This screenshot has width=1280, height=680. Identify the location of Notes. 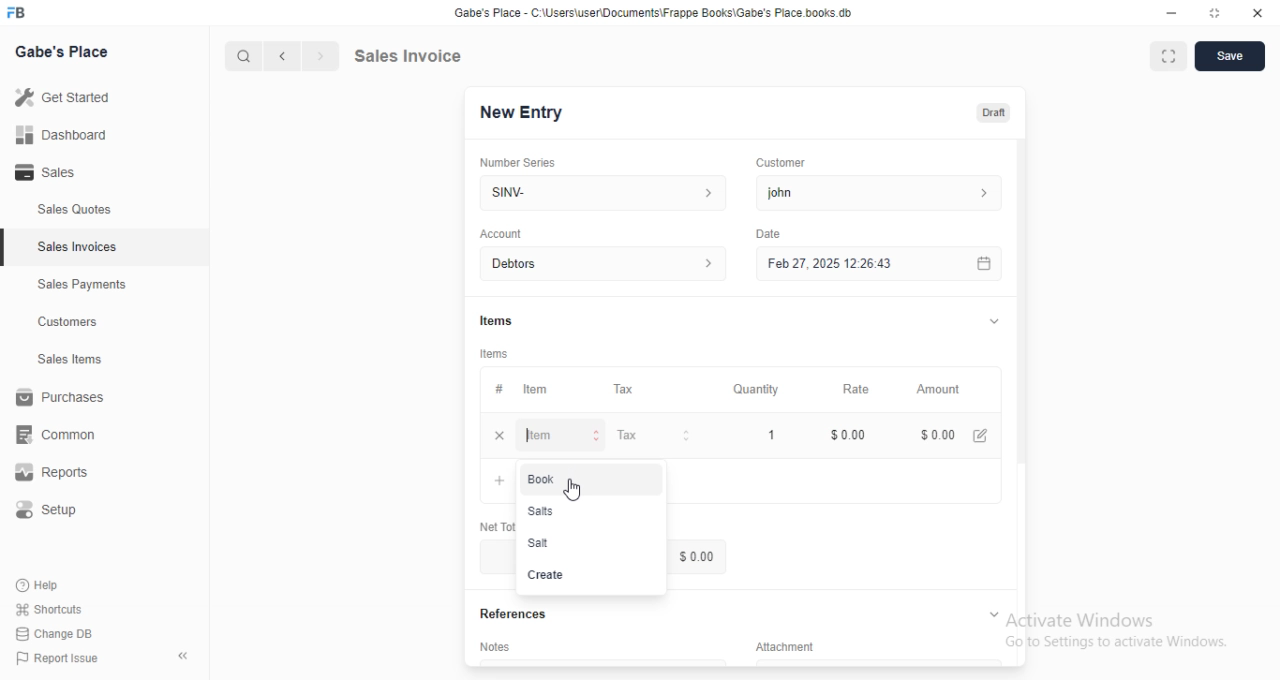
(494, 645).